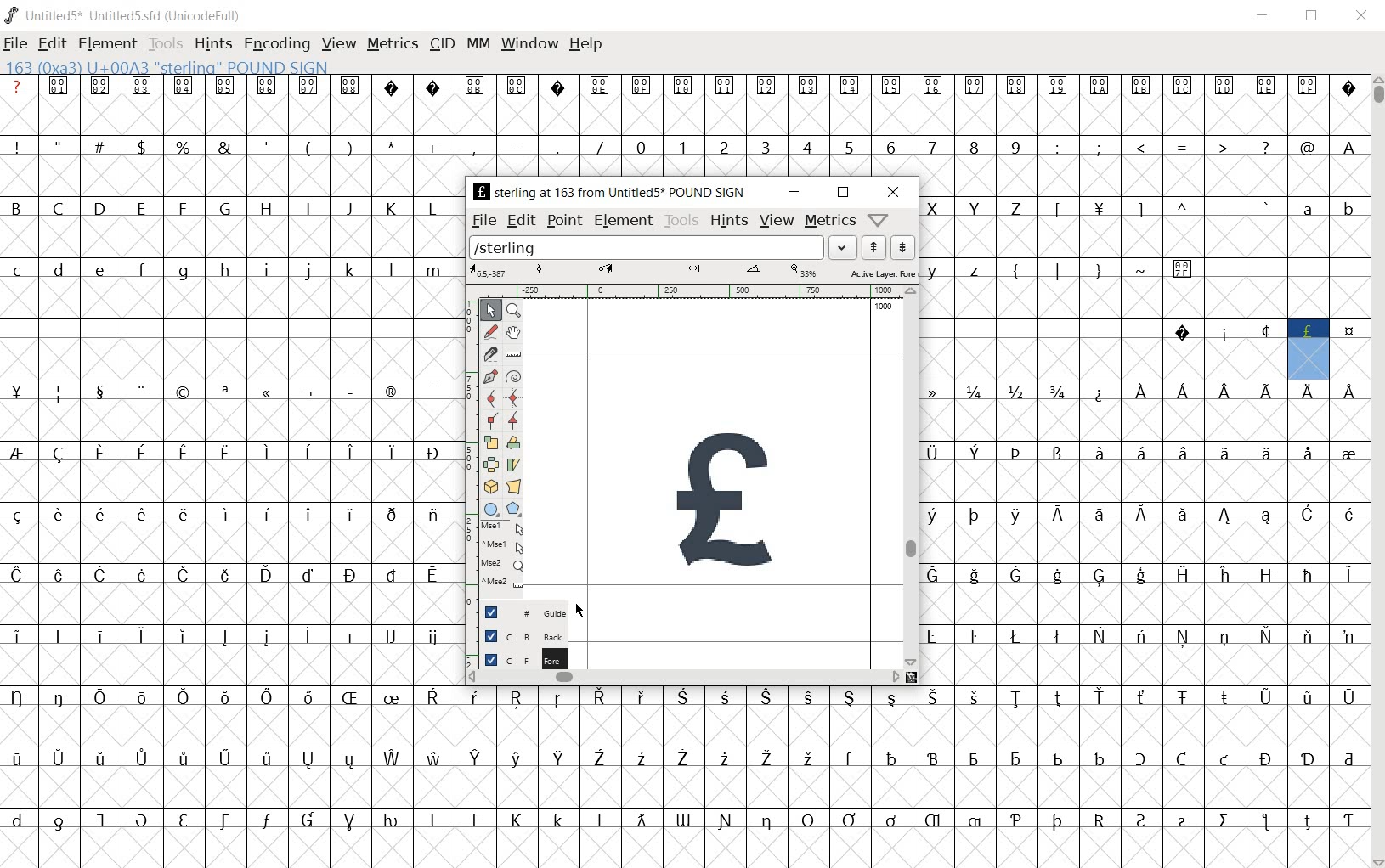 This screenshot has height=868, width=1385. What do you see at coordinates (1138, 453) in the screenshot?
I see `Symbol` at bounding box center [1138, 453].